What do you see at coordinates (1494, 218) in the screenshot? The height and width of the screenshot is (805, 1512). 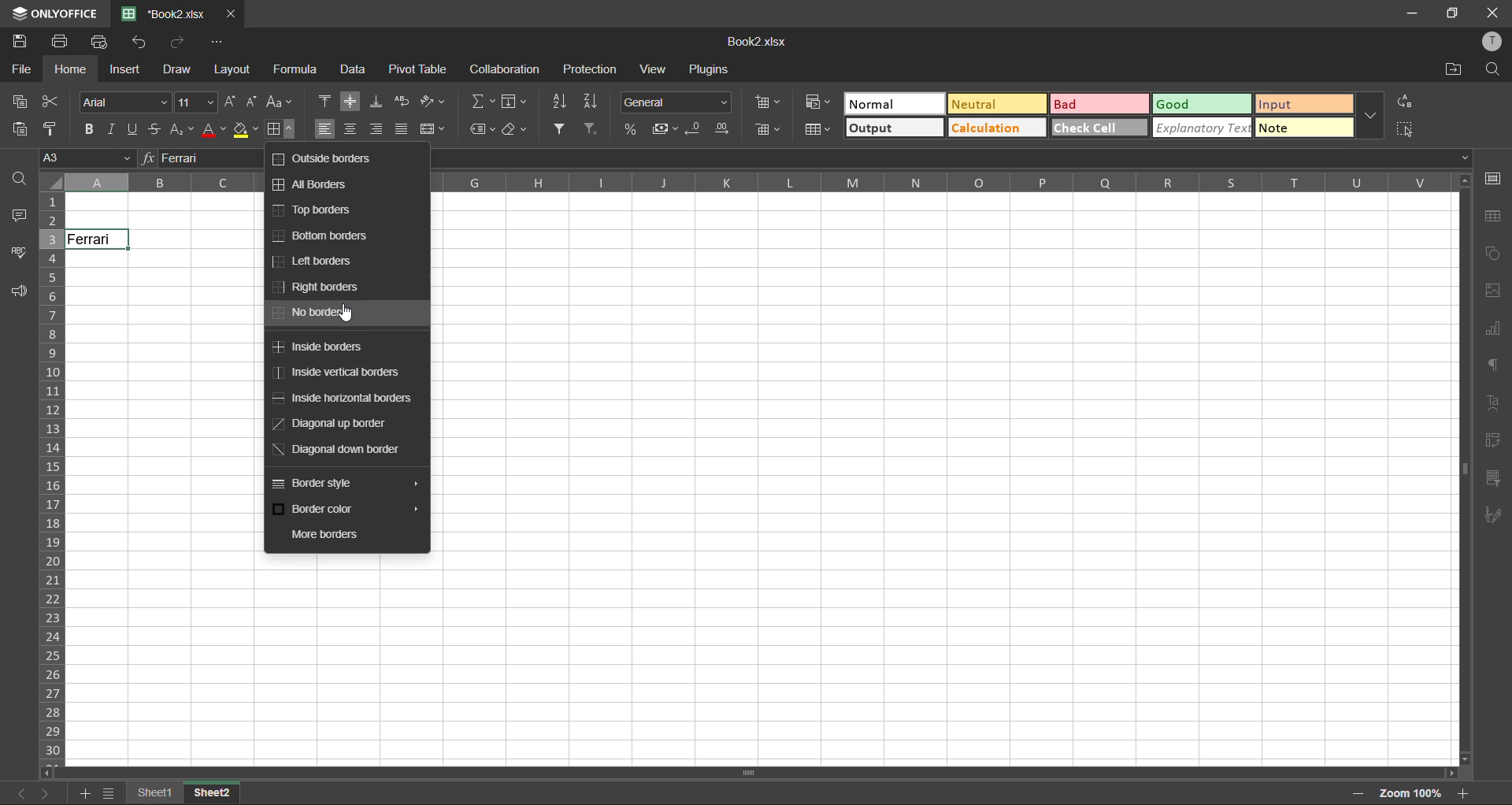 I see `table` at bounding box center [1494, 218].